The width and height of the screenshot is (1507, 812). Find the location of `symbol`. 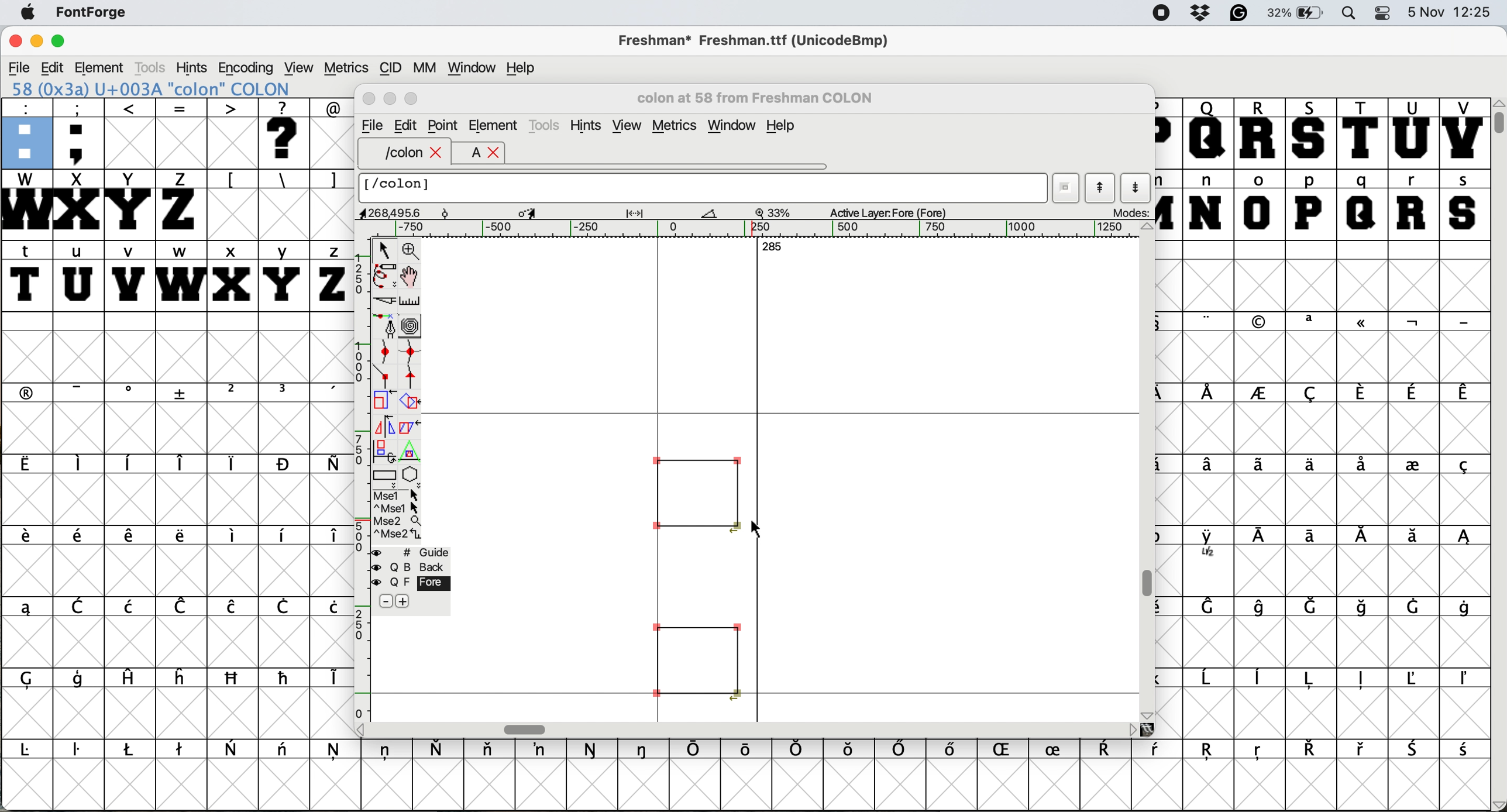

symbol is located at coordinates (284, 464).